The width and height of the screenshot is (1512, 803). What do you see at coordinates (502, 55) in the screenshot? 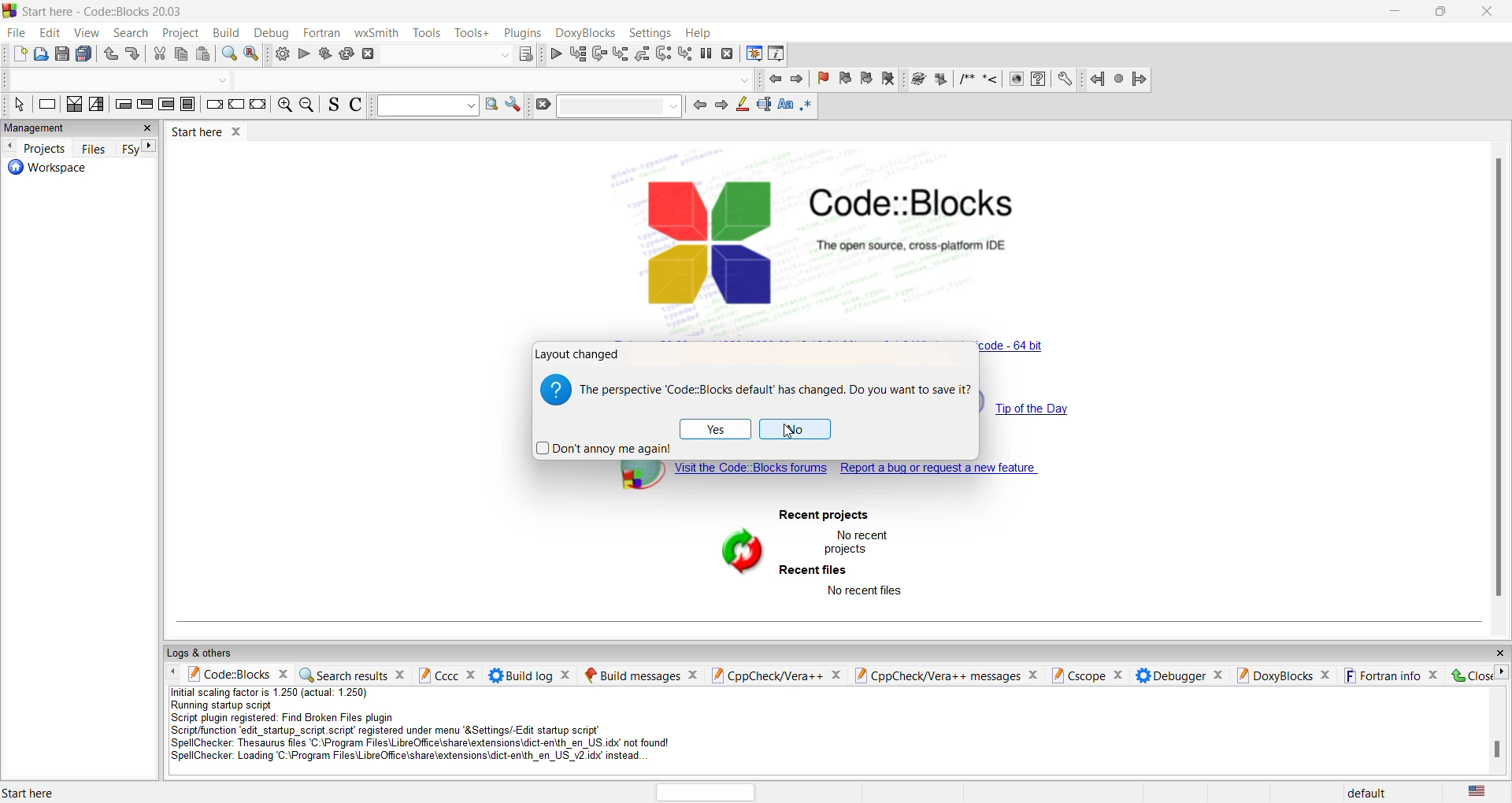
I see `dropdown` at bounding box center [502, 55].